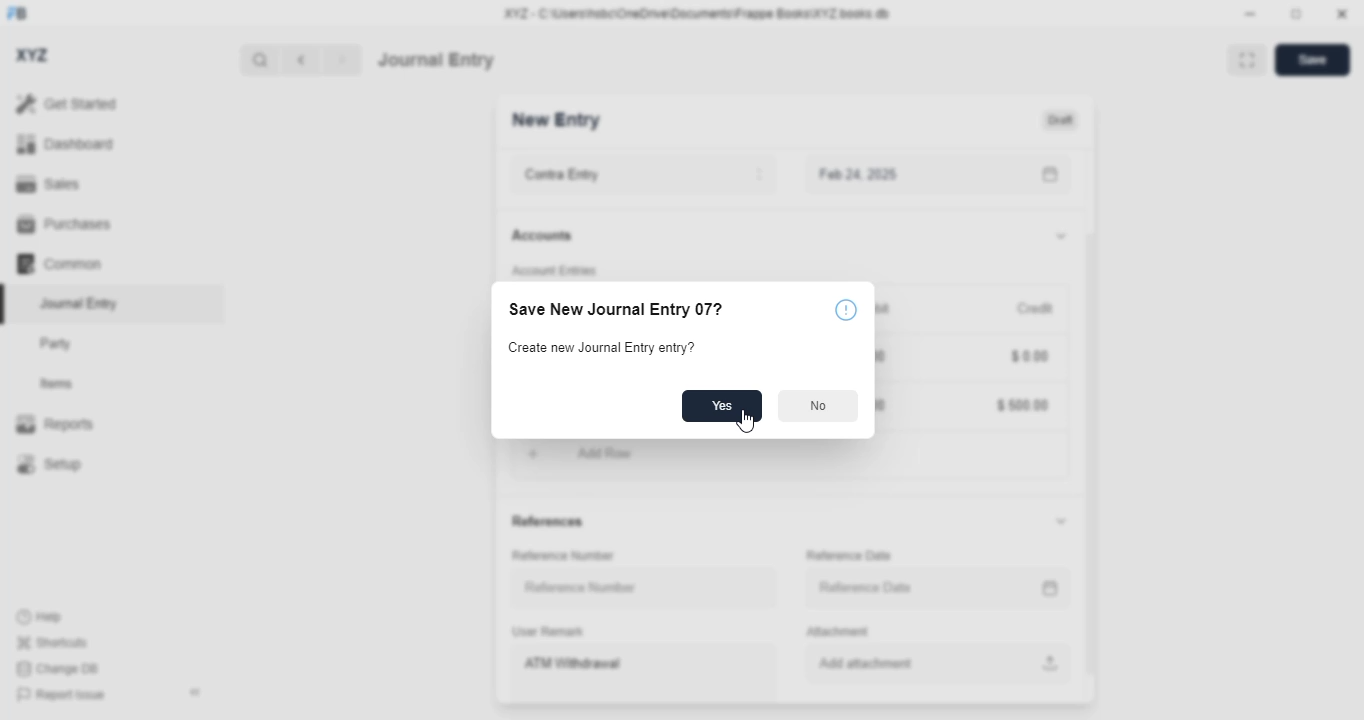 This screenshot has height=720, width=1364. What do you see at coordinates (259, 60) in the screenshot?
I see `search` at bounding box center [259, 60].